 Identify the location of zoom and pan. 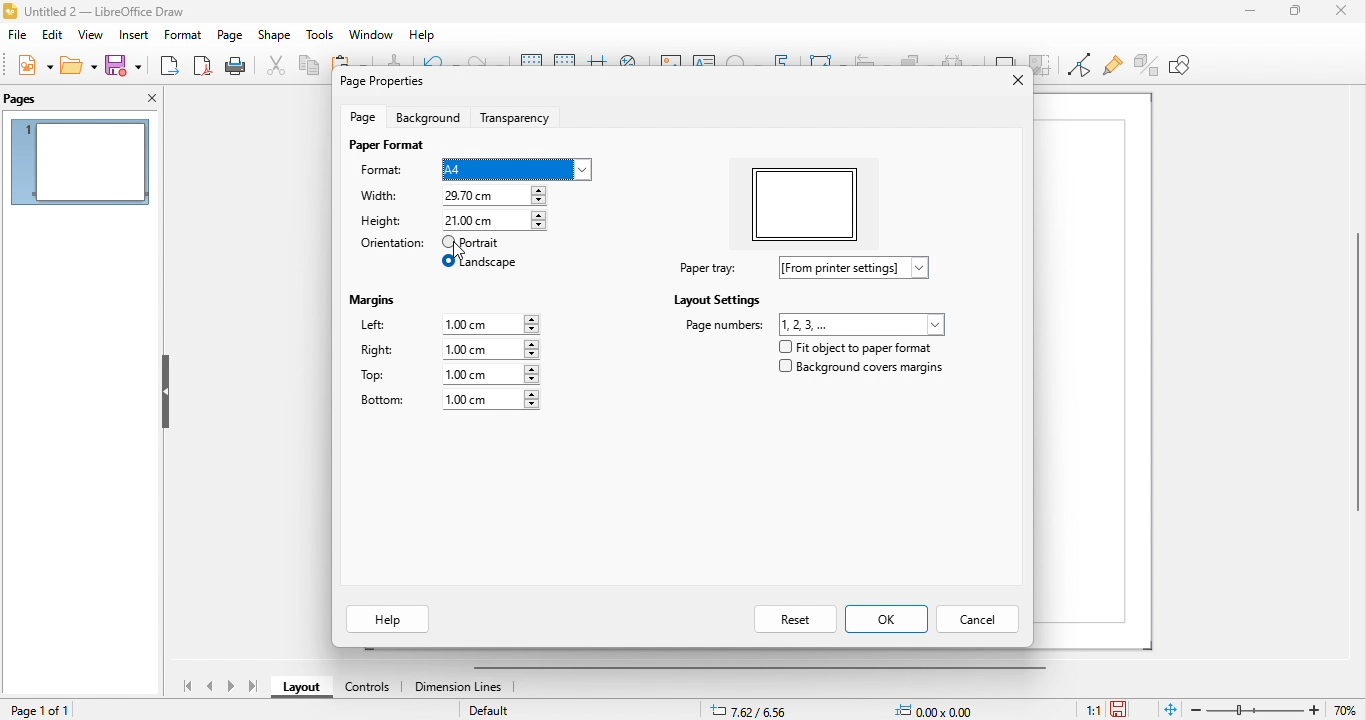
(632, 65).